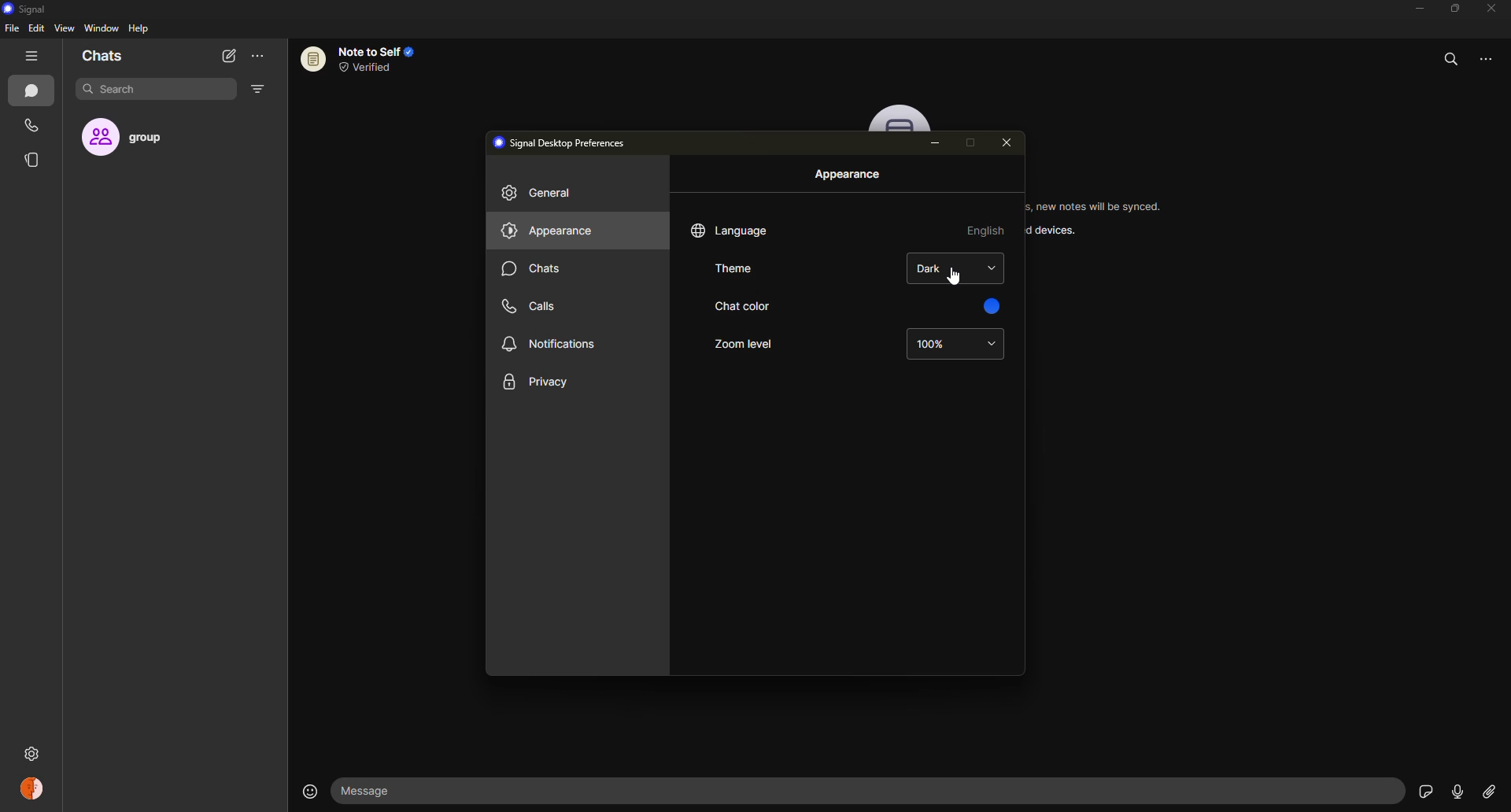 This screenshot has width=1511, height=812. I want to click on privacy, so click(539, 382).